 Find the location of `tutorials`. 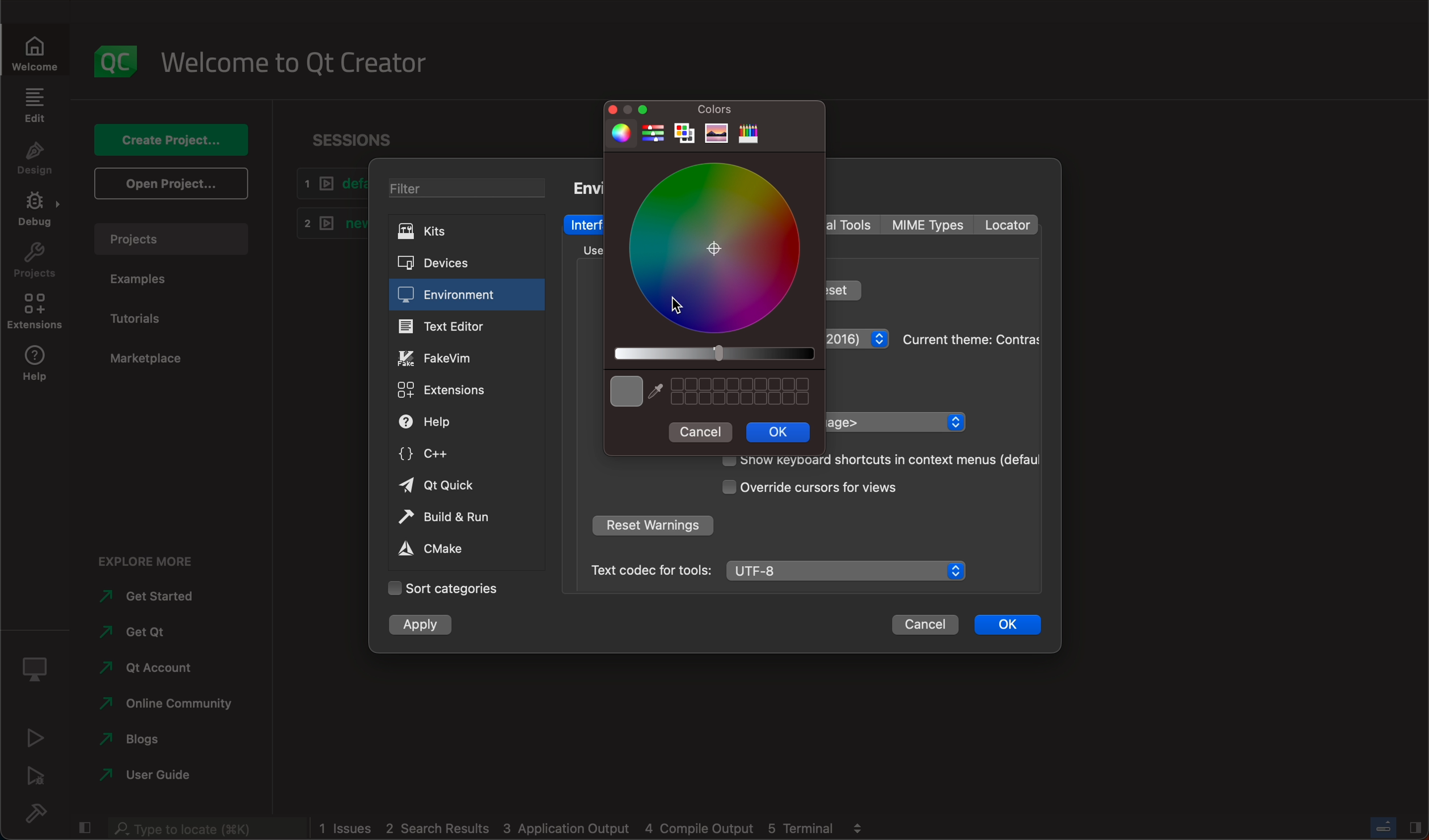

tutorials is located at coordinates (151, 317).